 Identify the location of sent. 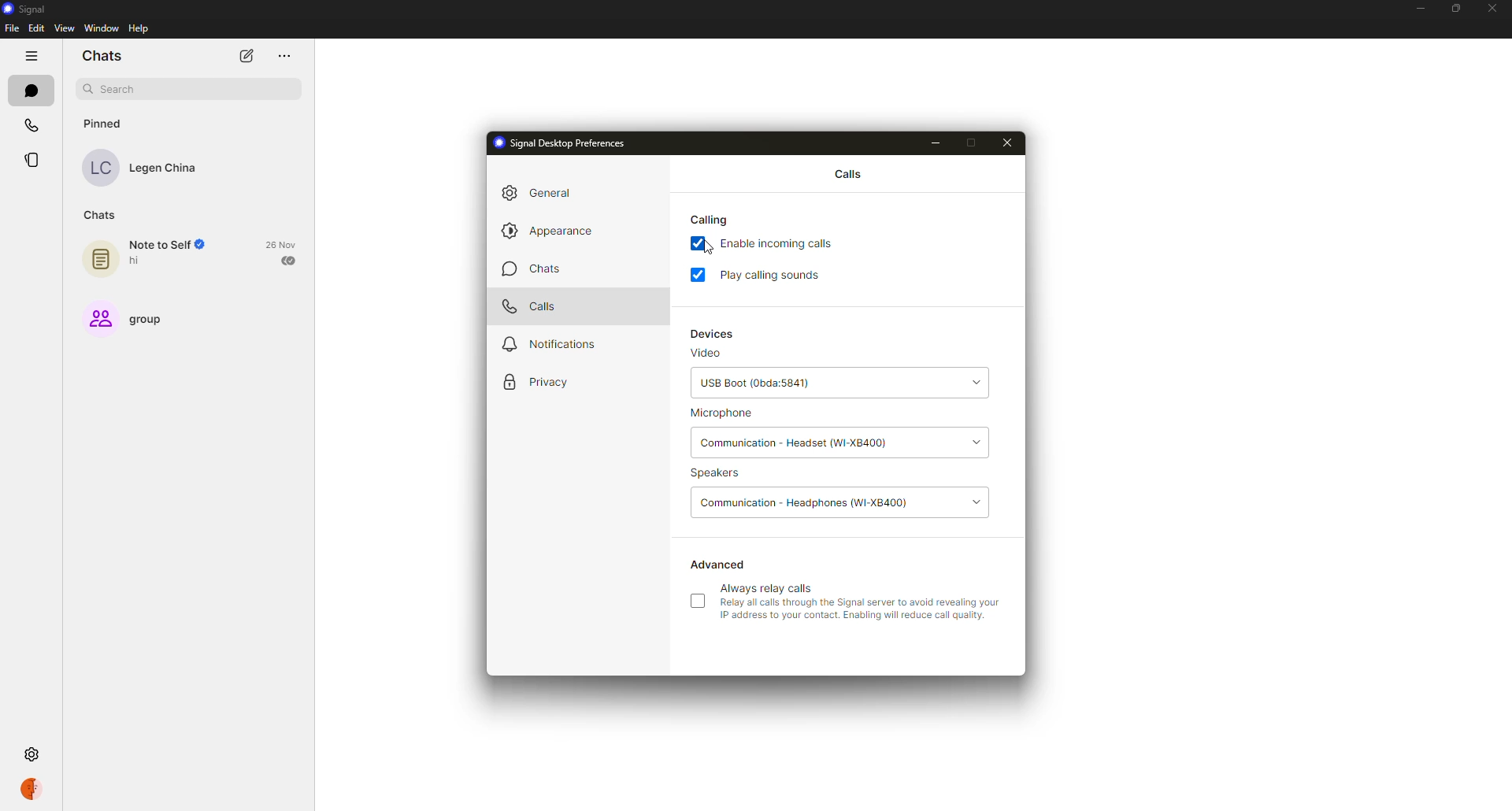
(287, 261).